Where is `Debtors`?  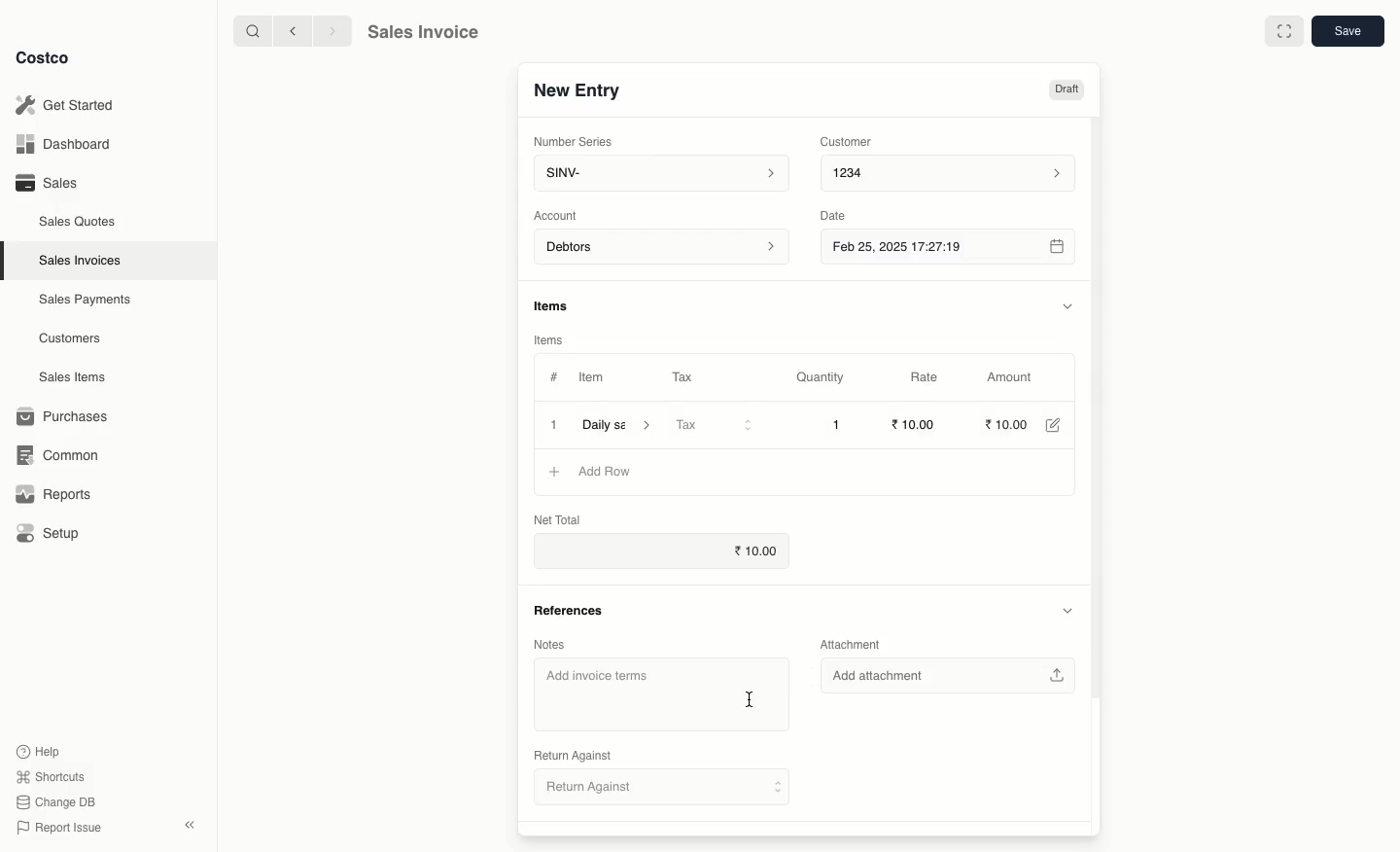 Debtors is located at coordinates (662, 248).